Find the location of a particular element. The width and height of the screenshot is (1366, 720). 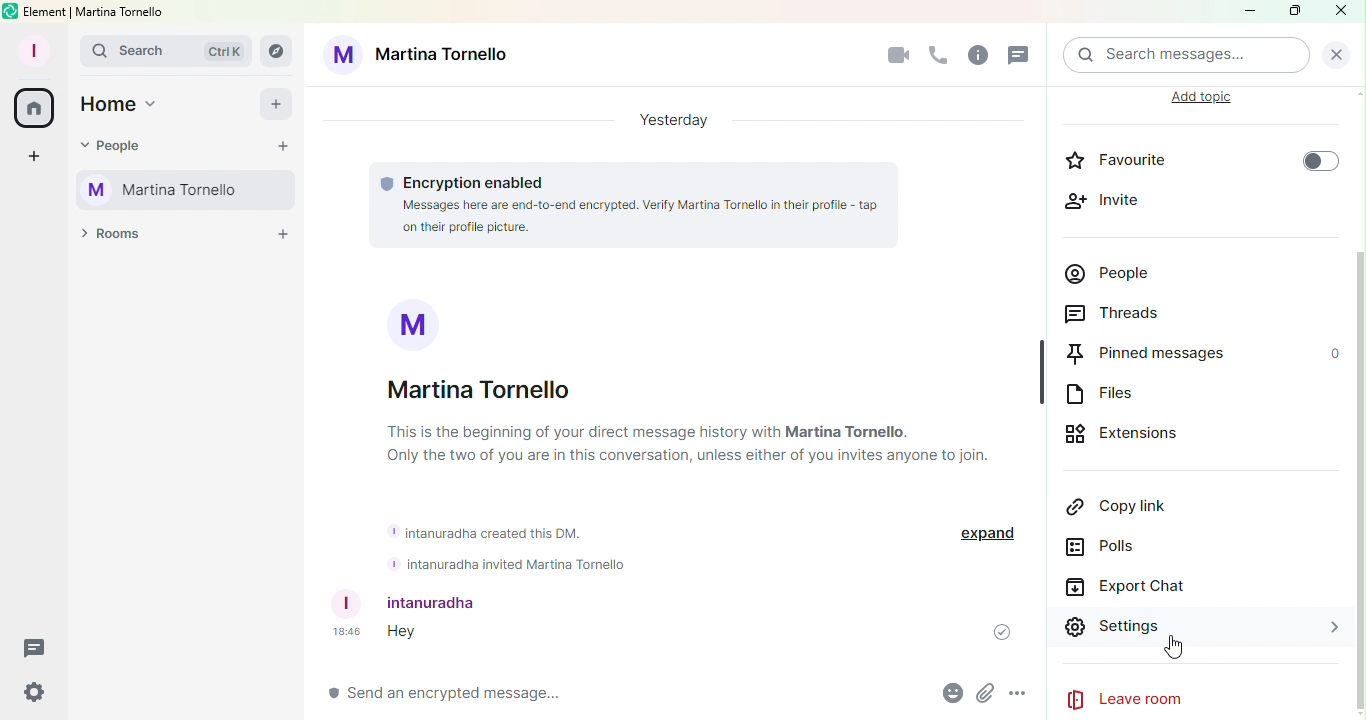

Invite is located at coordinates (1199, 201).